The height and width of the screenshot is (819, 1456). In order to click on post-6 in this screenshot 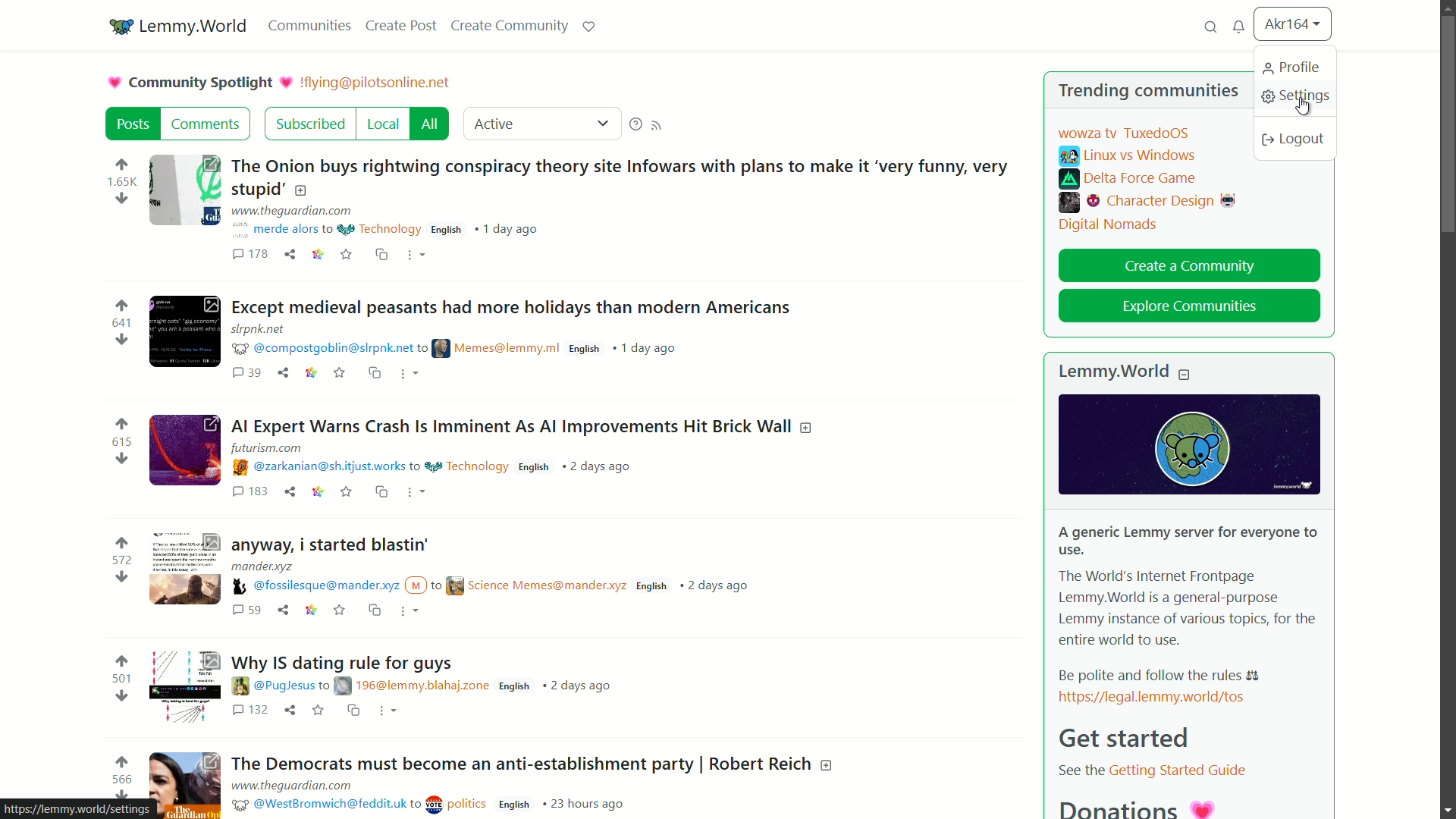, I will do `click(534, 764)`.